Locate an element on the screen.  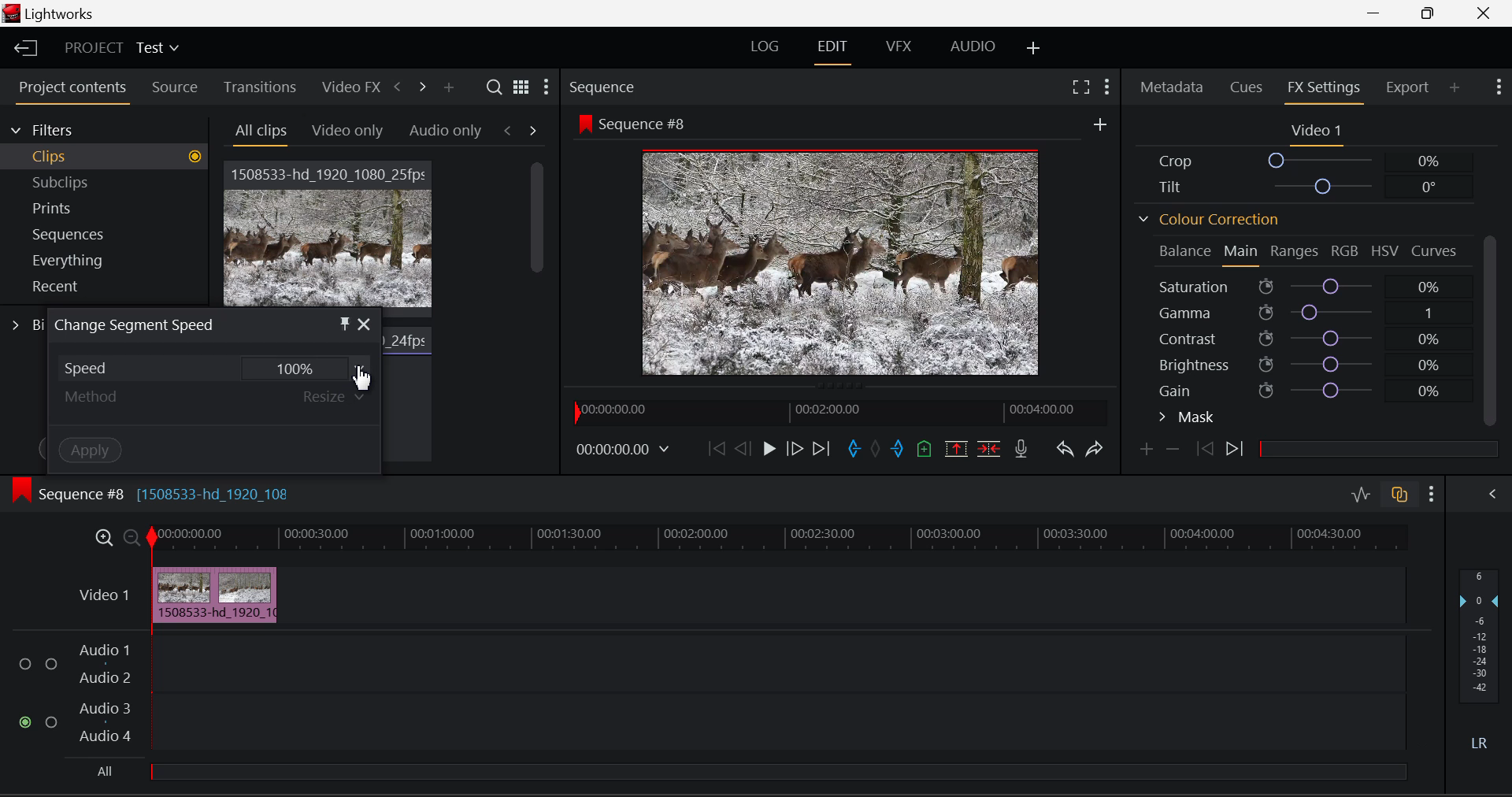
Add panel is located at coordinates (451, 88).